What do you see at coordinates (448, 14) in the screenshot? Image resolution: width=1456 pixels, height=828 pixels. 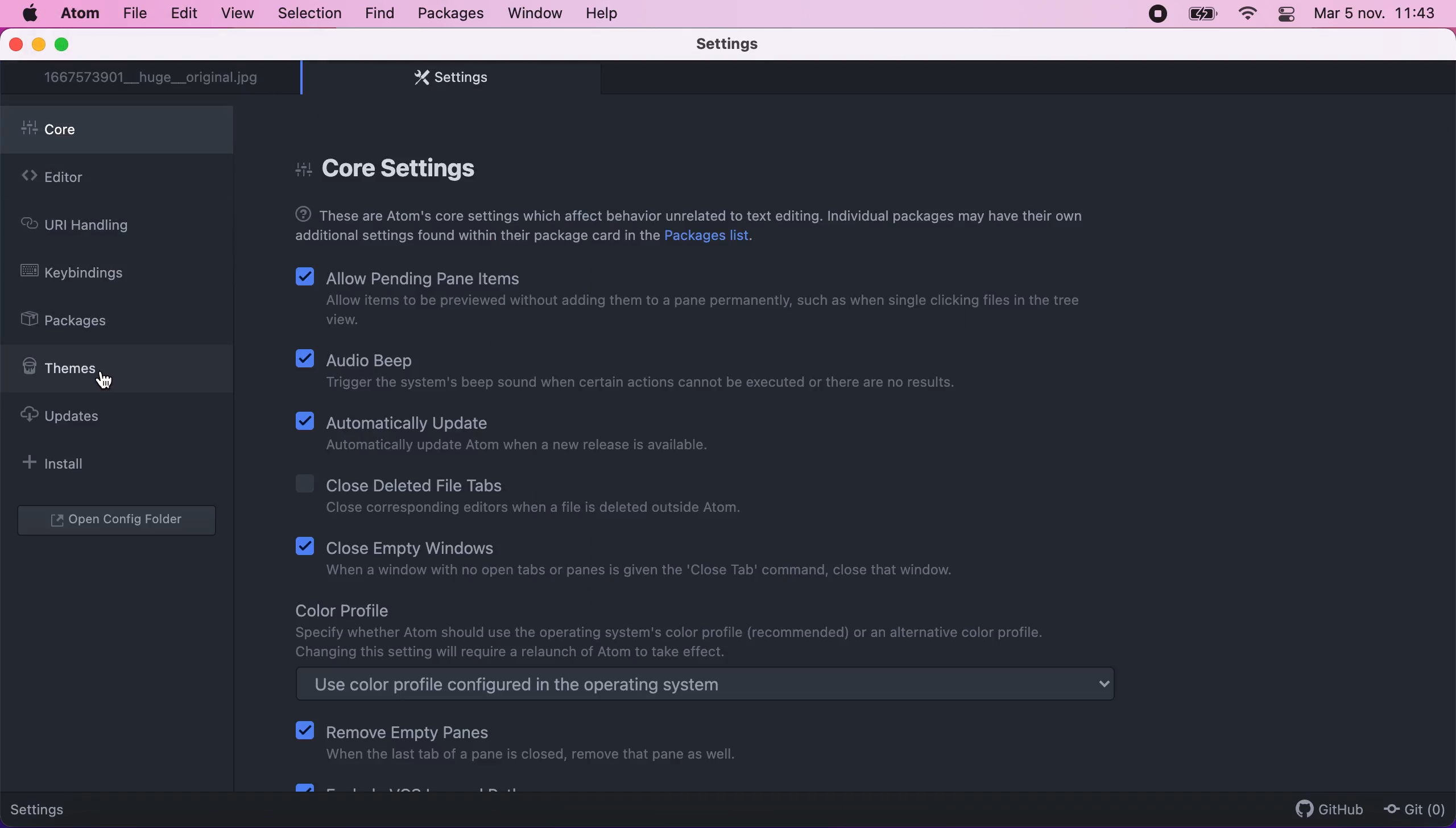 I see `packages` at bounding box center [448, 14].